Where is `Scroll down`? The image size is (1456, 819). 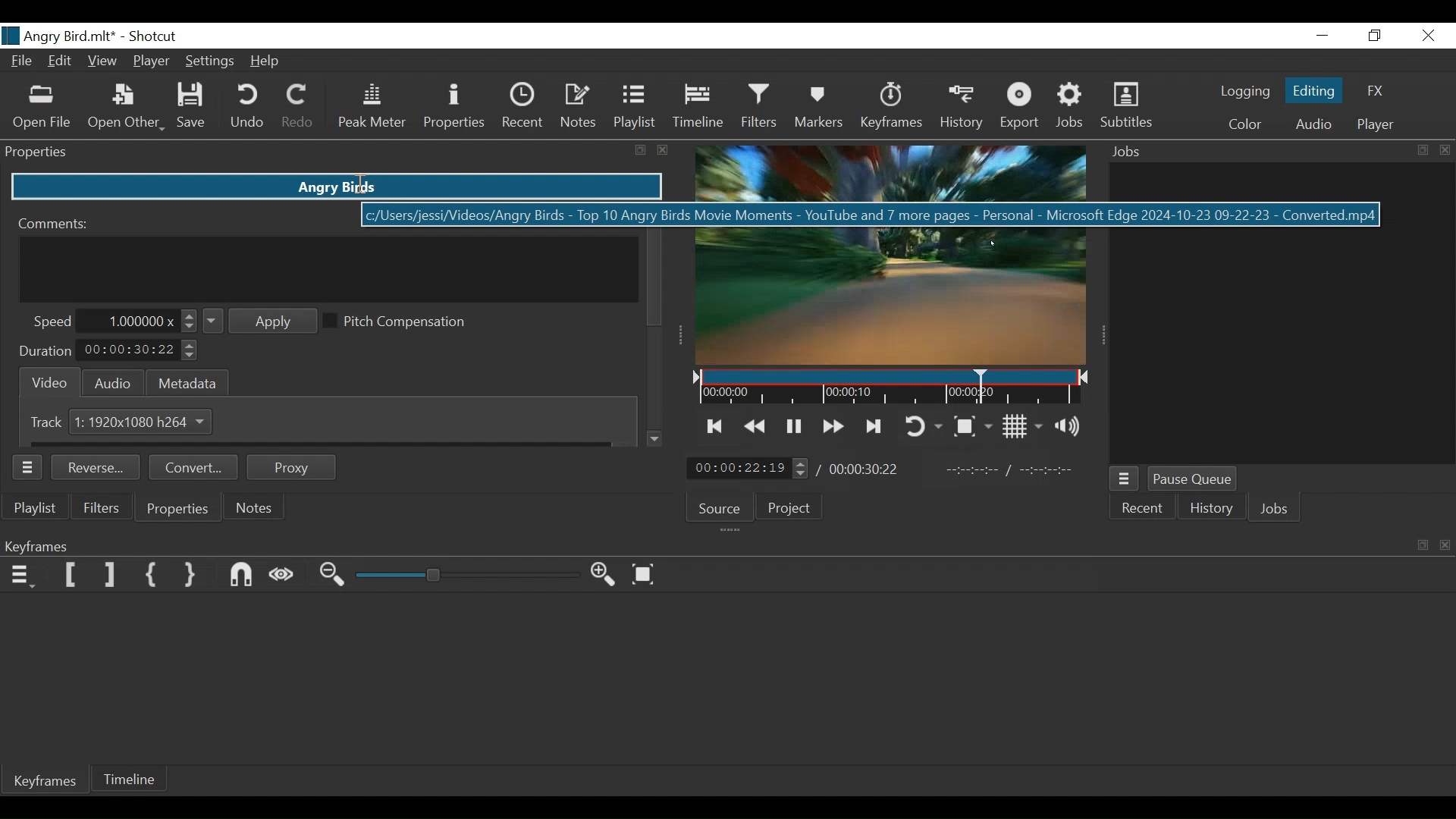 Scroll down is located at coordinates (656, 439).